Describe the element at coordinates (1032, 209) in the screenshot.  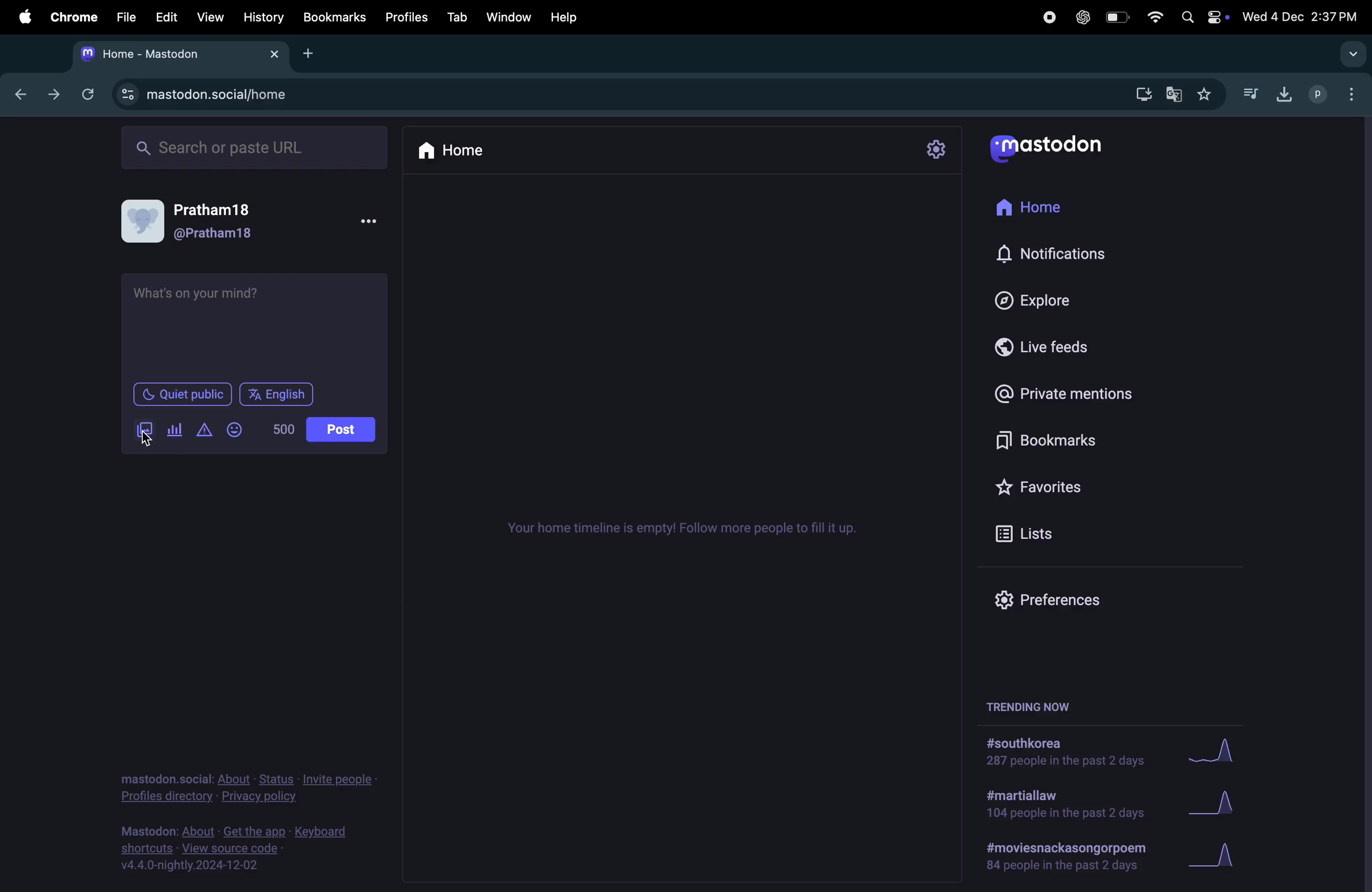
I see `home` at that location.